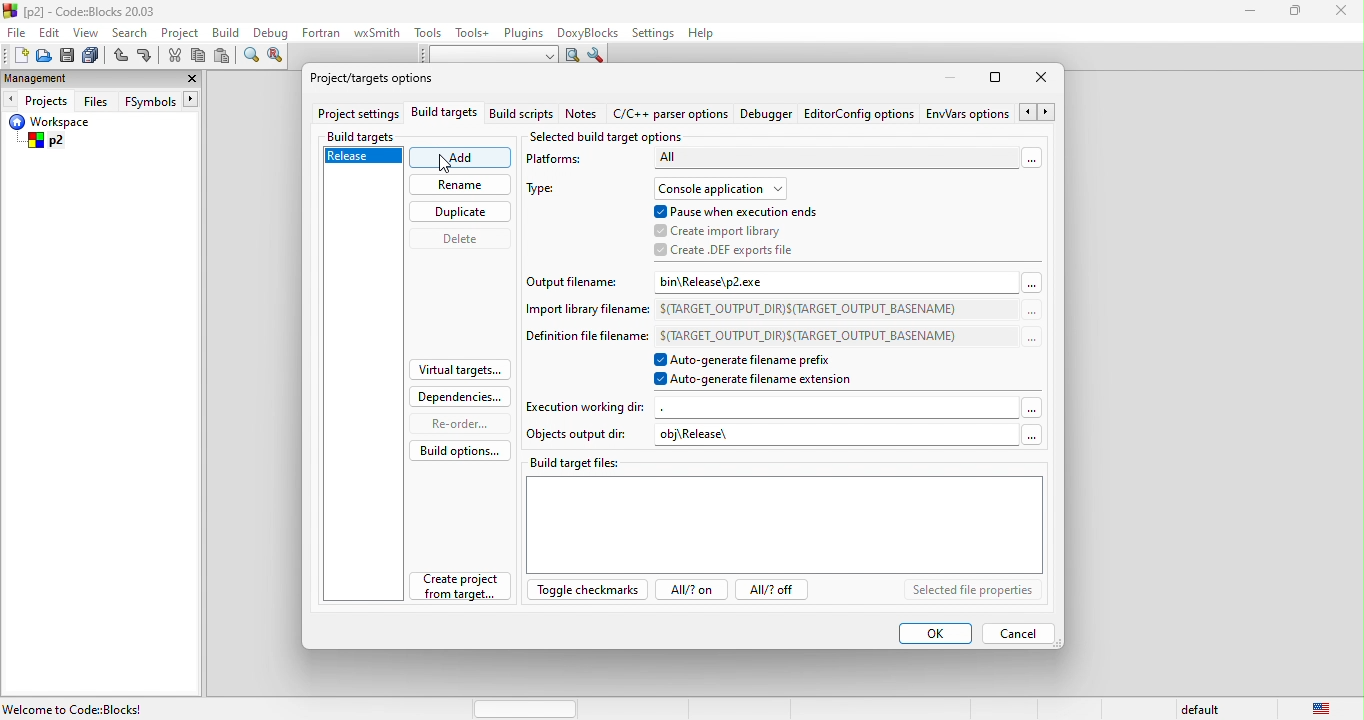 Image resolution: width=1364 pixels, height=720 pixels. What do you see at coordinates (145, 57) in the screenshot?
I see `redo` at bounding box center [145, 57].